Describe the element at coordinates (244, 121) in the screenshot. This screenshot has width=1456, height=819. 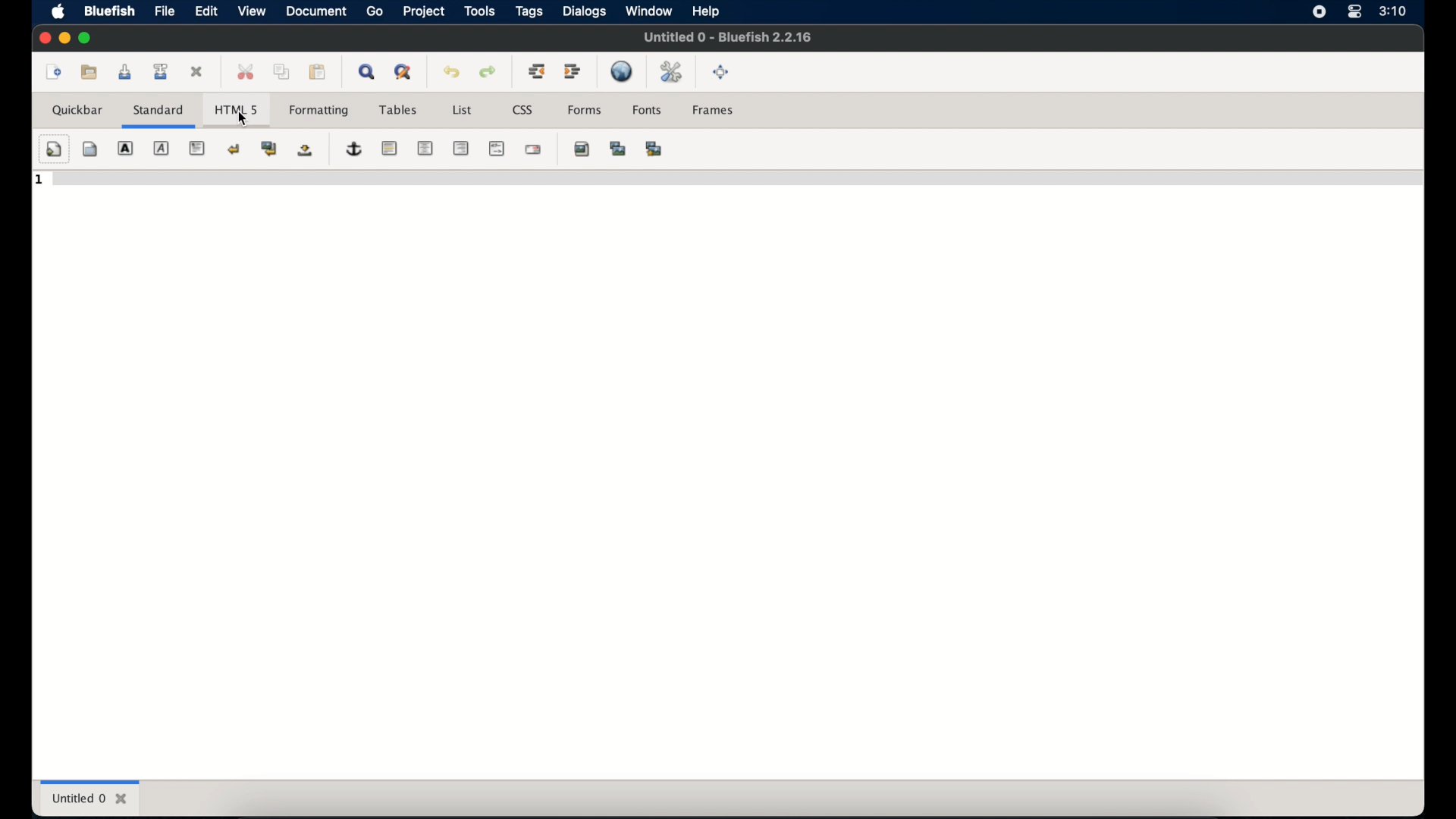
I see `Cursor` at that location.